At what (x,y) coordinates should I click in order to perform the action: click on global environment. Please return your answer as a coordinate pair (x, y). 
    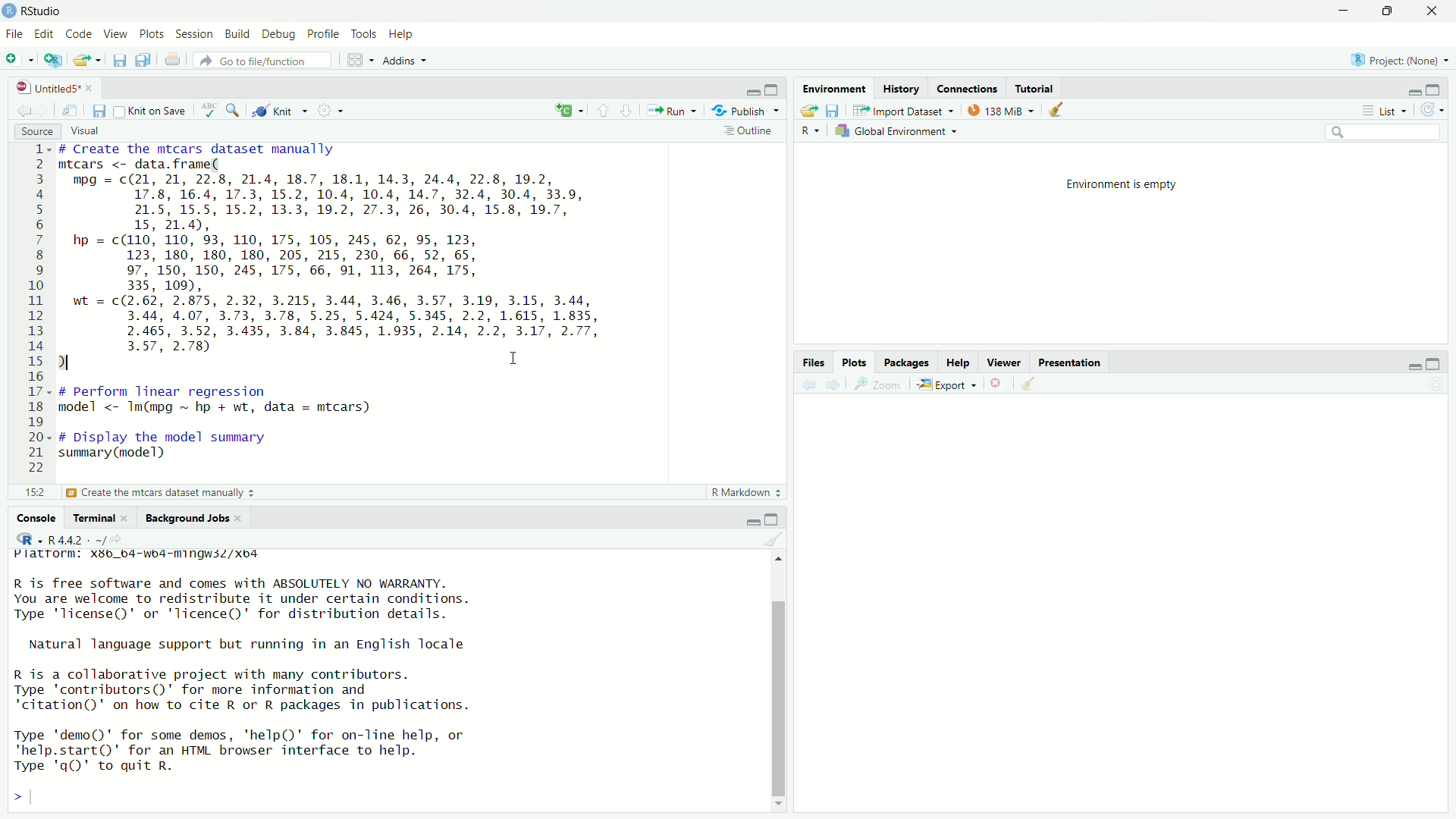
    Looking at the image, I should click on (895, 131).